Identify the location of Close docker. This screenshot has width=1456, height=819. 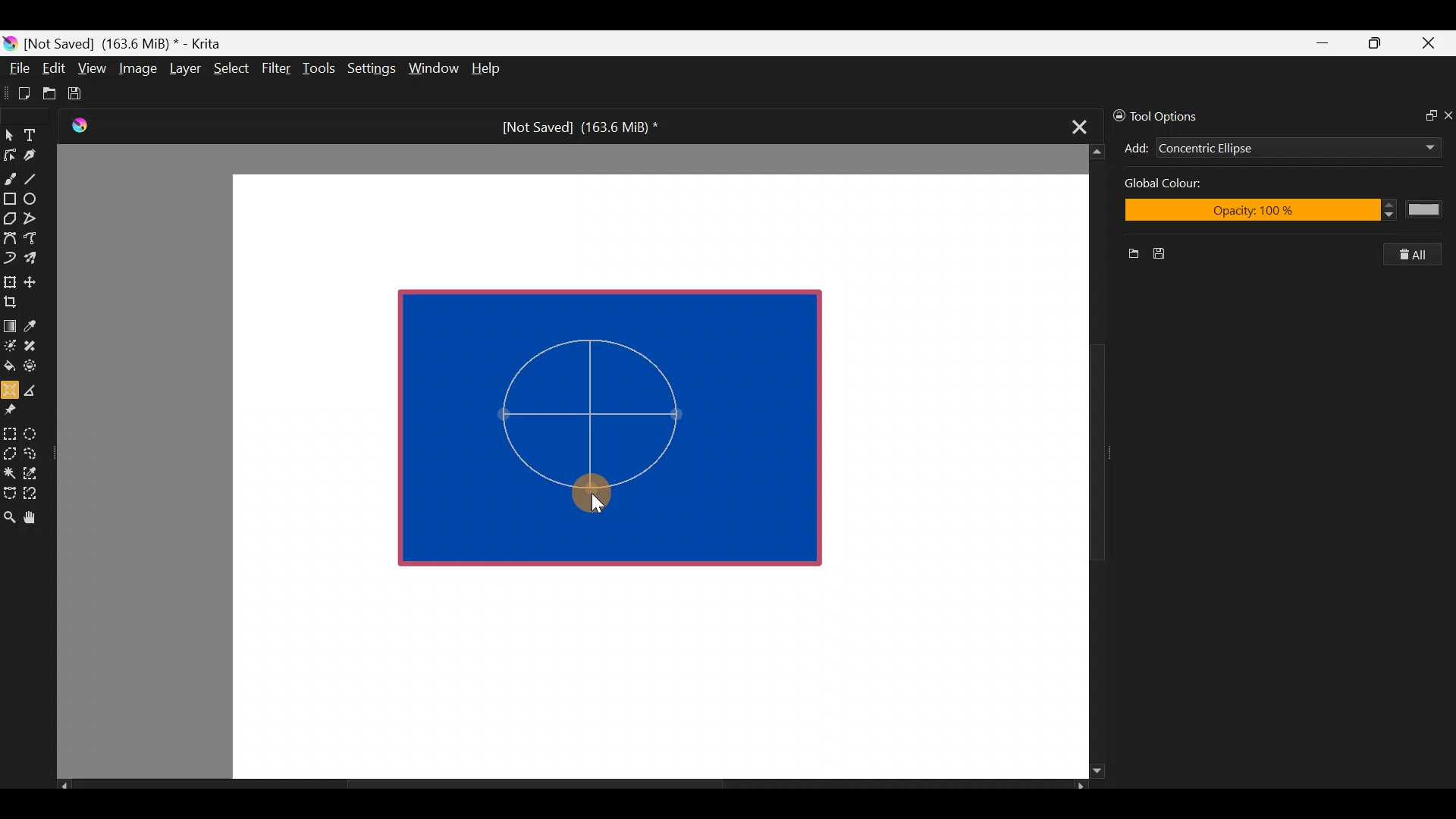
(1447, 115).